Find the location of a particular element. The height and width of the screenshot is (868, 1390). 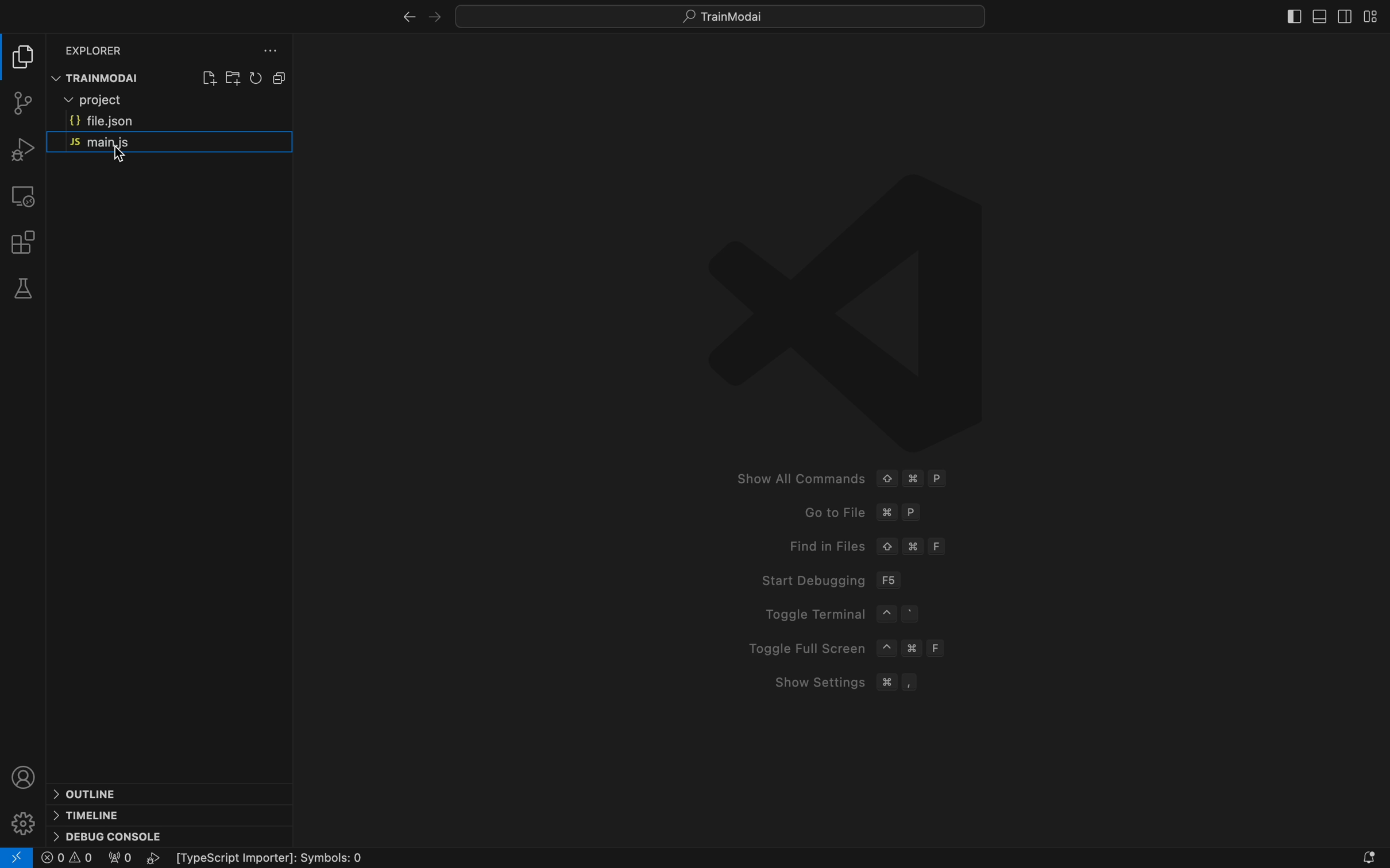

tests is located at coordinates (23, 286).